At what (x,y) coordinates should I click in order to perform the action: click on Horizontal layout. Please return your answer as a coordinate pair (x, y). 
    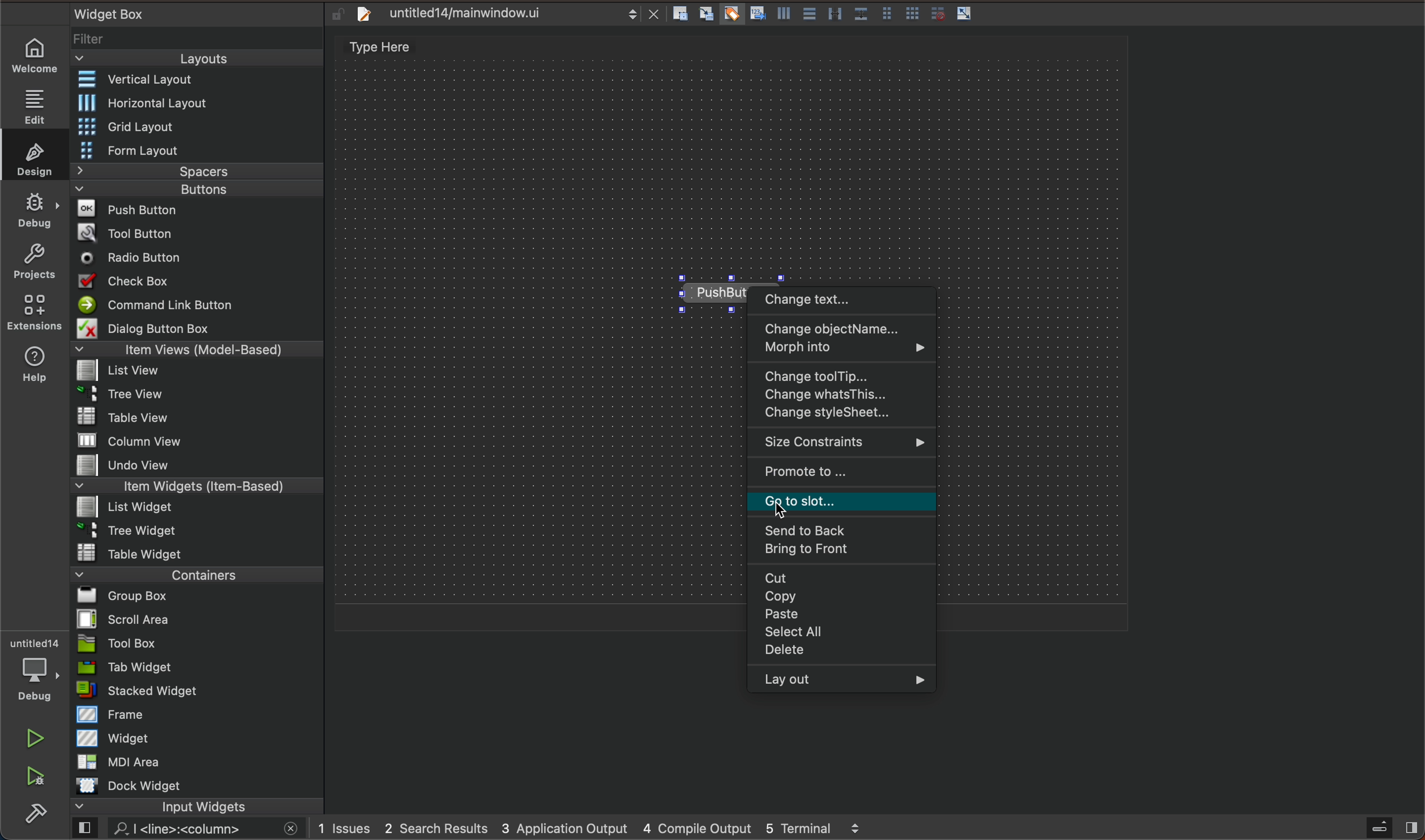
    Looking at the image, I should click on (202, 105).